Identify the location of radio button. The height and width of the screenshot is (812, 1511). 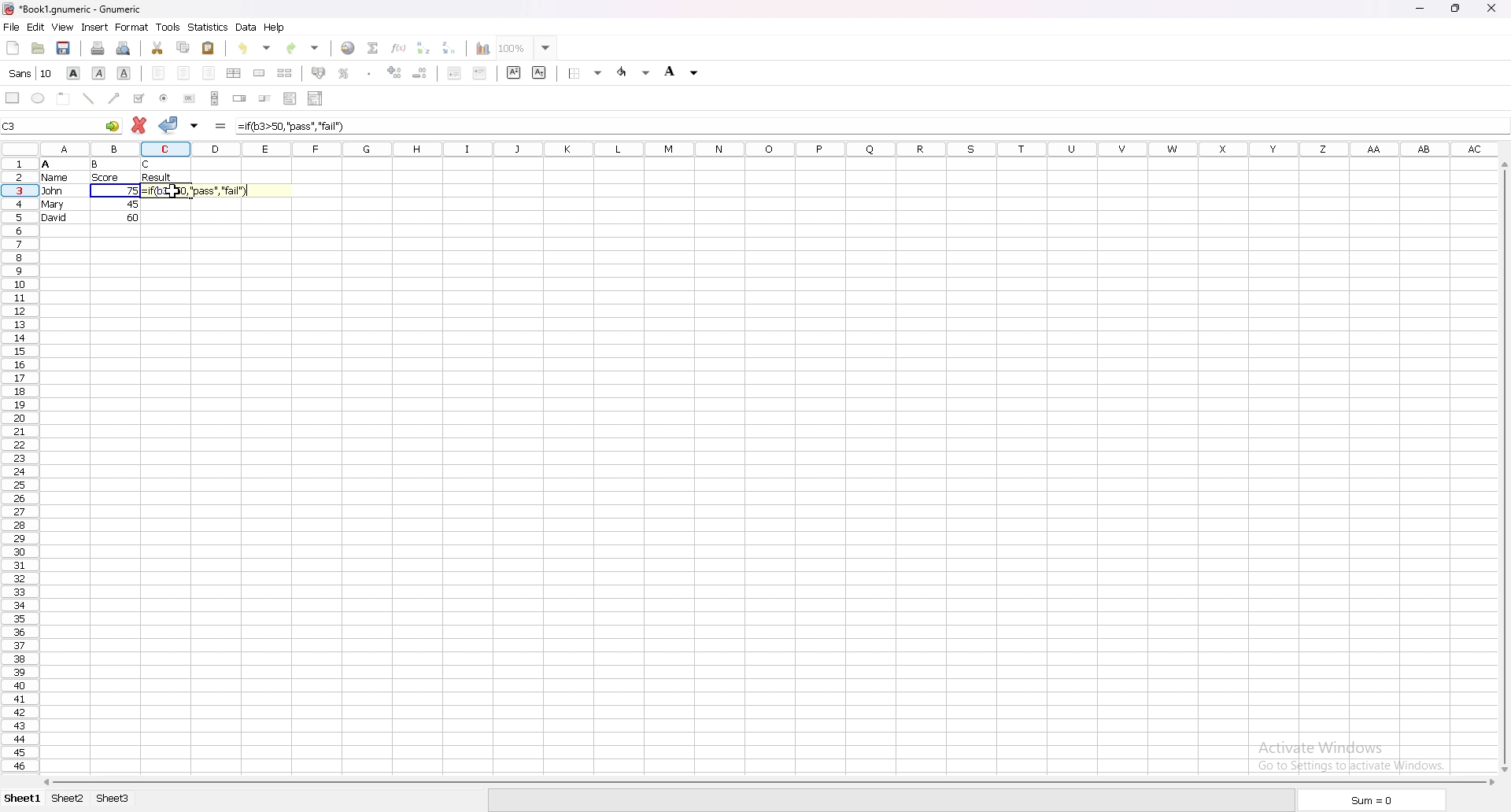
(164, 98).